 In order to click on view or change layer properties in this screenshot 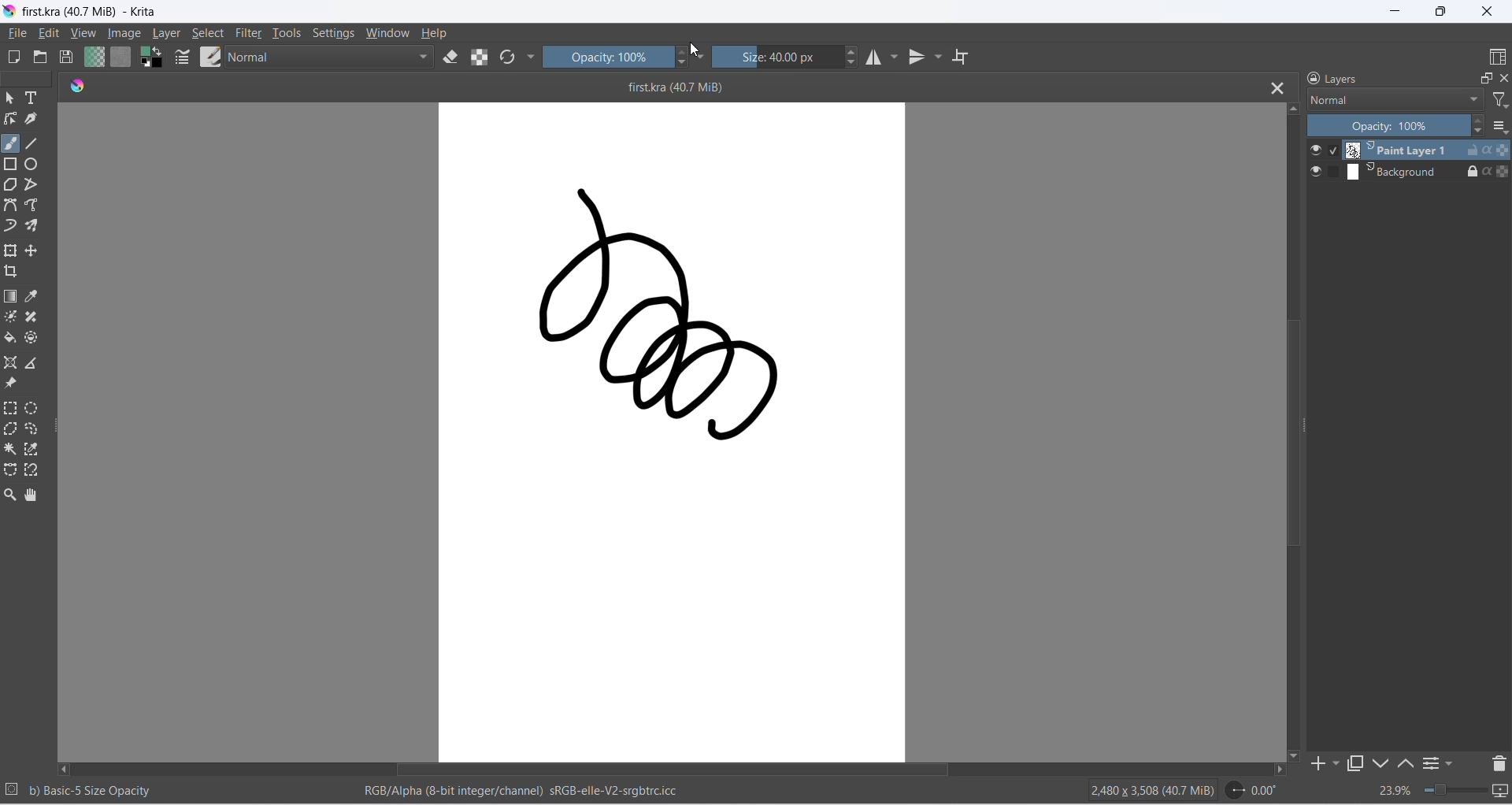, I will do `click(1431, 762)`.